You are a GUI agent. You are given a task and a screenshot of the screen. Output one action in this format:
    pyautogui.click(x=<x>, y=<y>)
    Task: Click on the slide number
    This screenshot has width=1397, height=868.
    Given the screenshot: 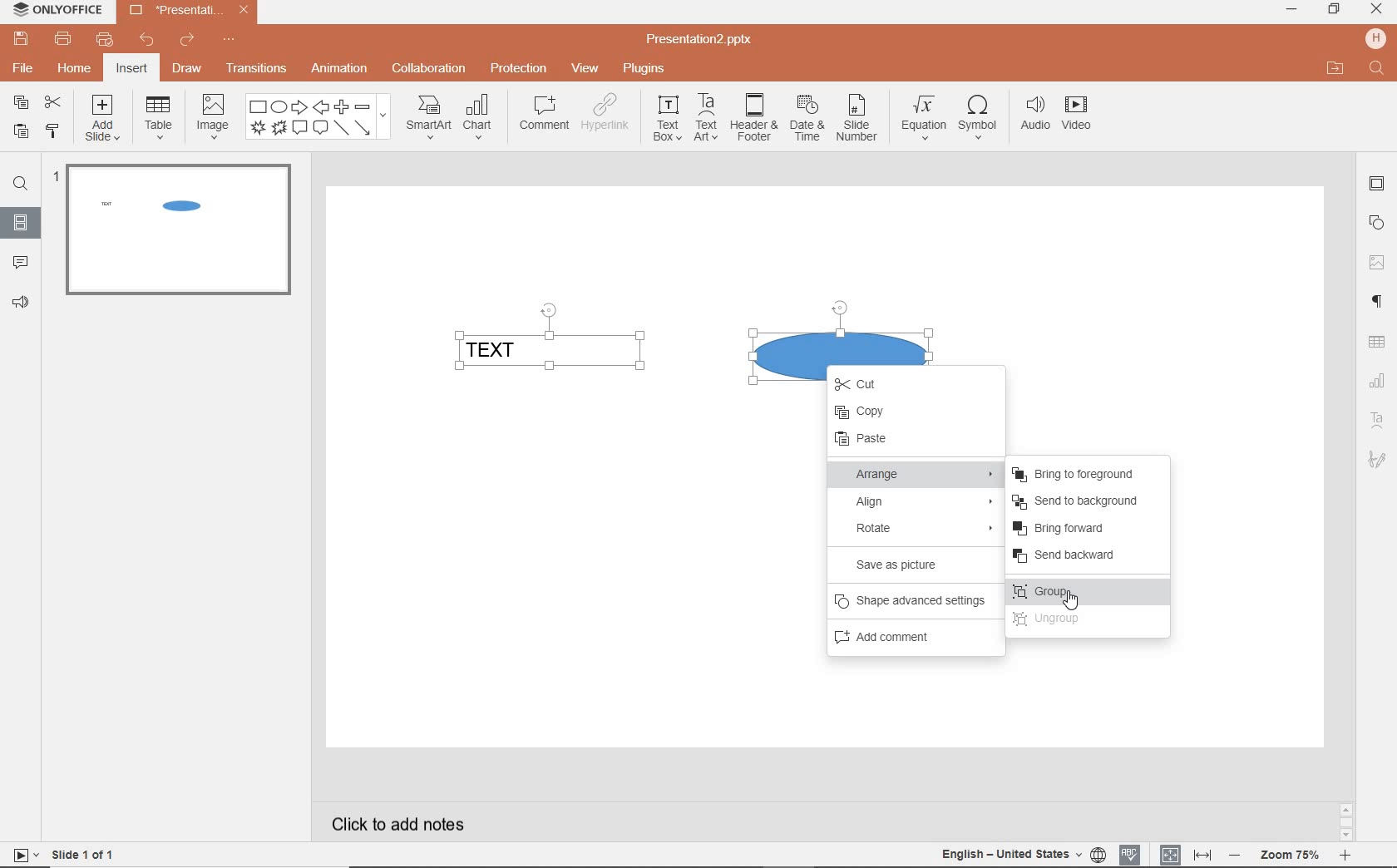 What is the action you would take?
    pyautogui.click(x=856, y=121)
    